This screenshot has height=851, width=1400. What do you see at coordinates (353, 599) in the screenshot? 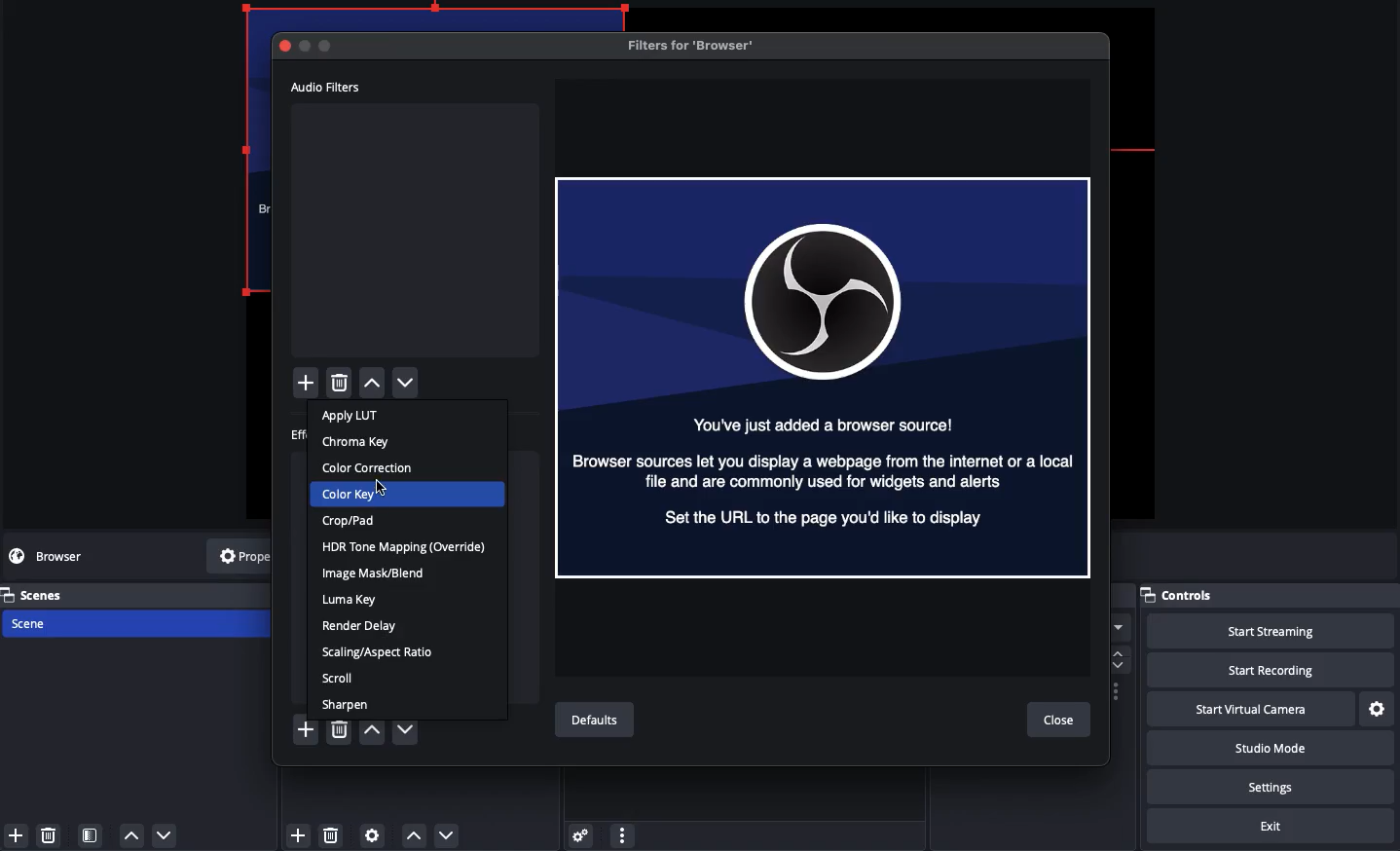
I see `Luna key` at bounding box center [353, 599].